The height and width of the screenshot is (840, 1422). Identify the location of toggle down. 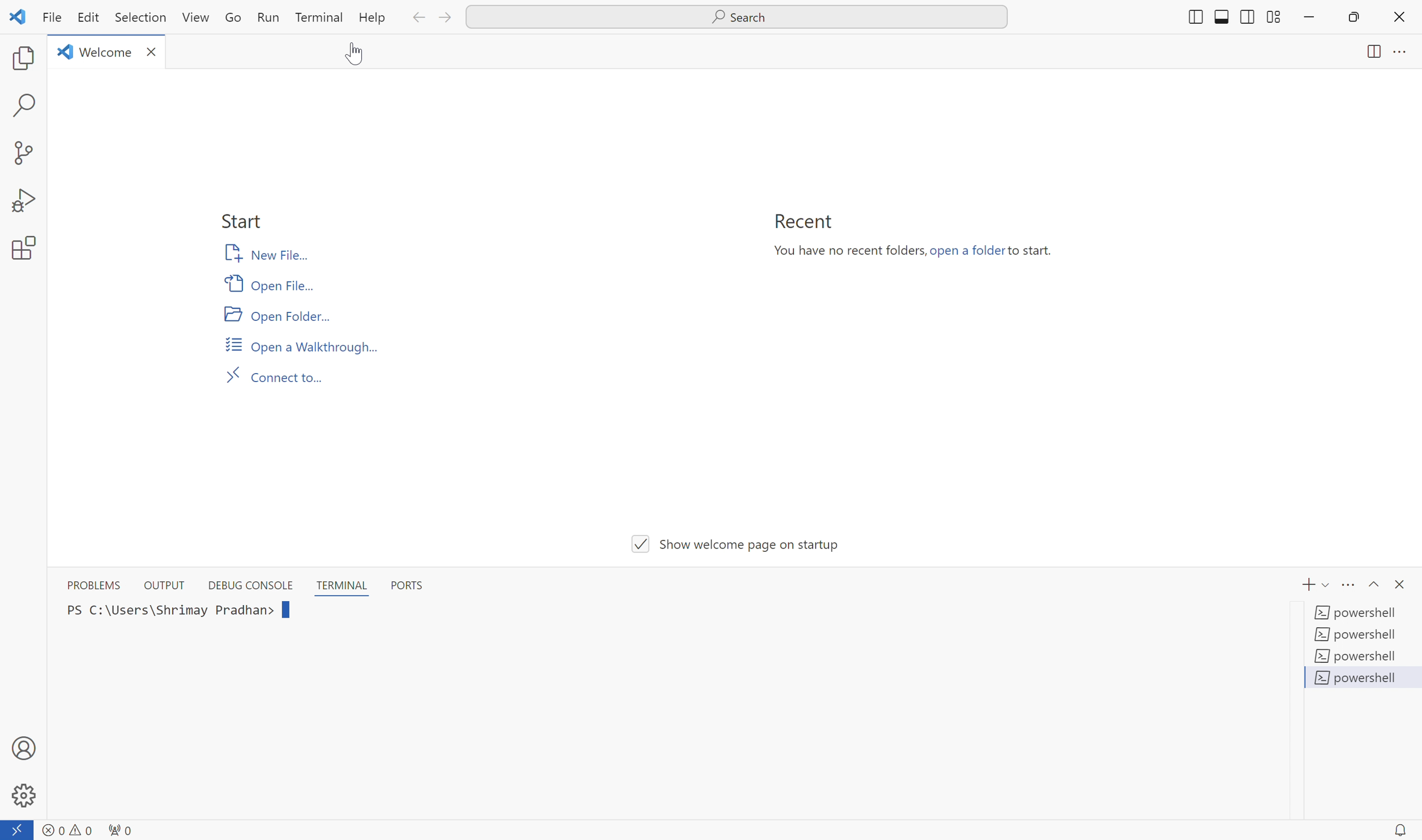
(1323, 585).